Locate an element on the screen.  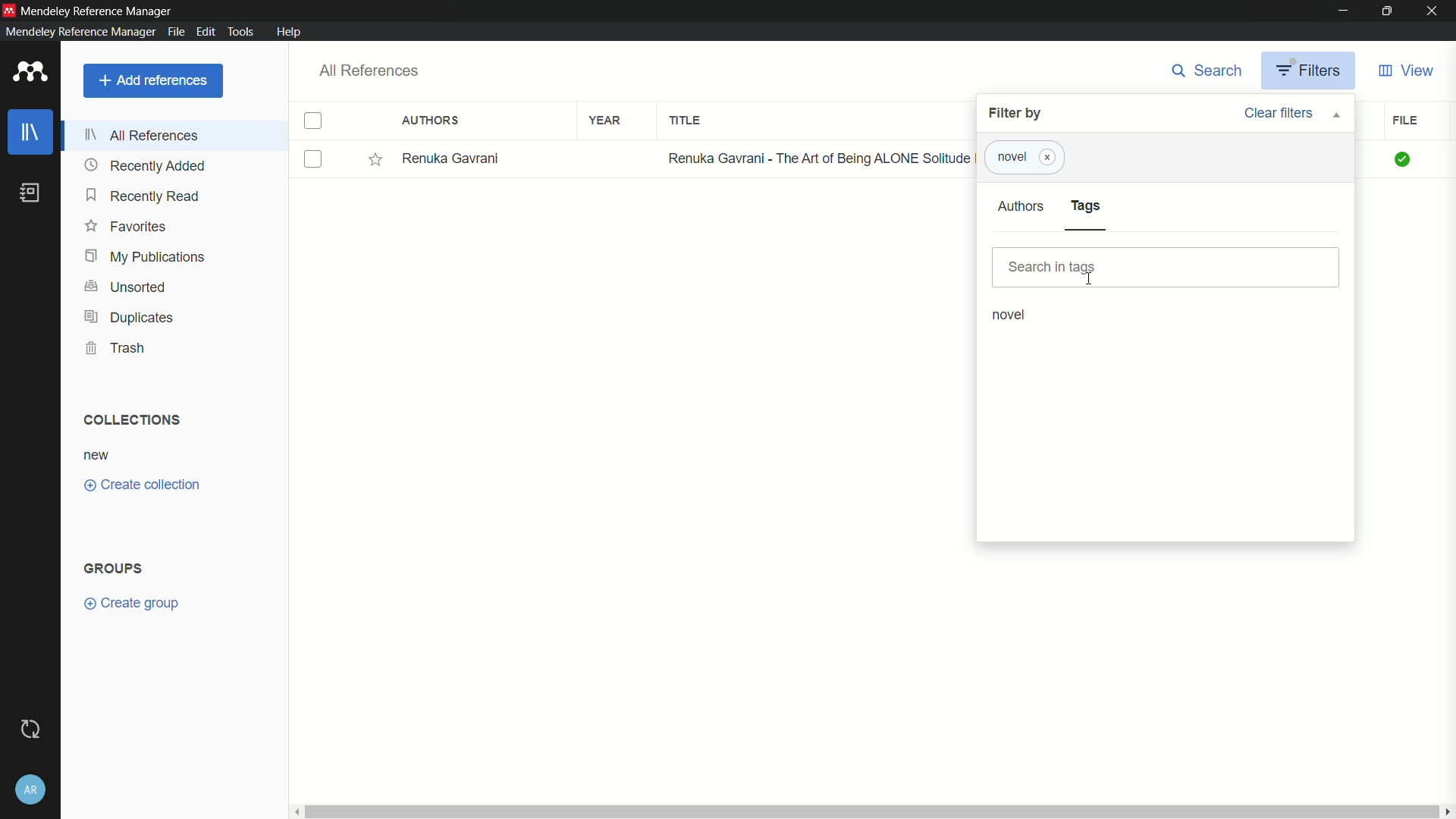
file menu is located at coordinates (176, 32).